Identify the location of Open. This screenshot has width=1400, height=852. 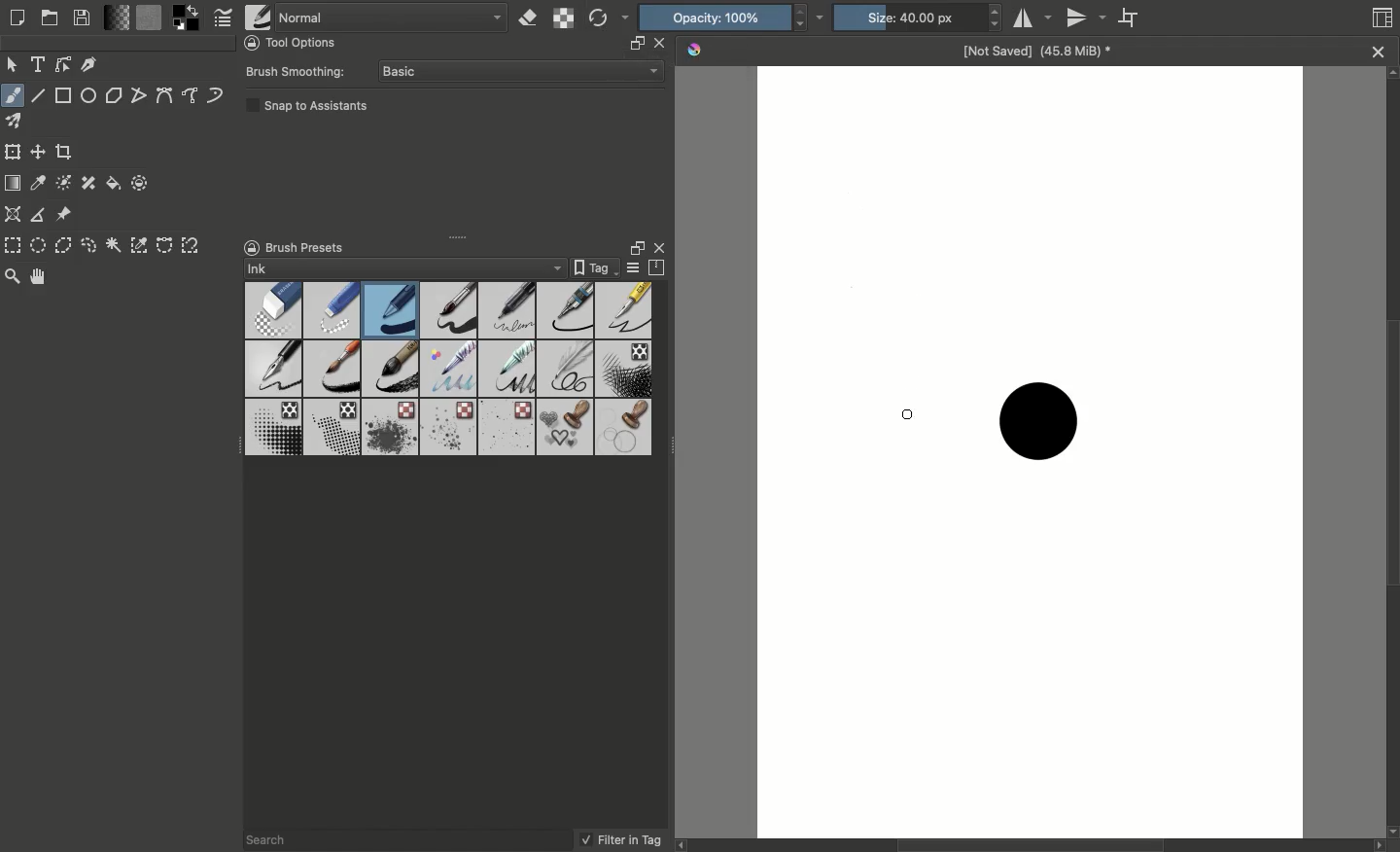
(51, 18).